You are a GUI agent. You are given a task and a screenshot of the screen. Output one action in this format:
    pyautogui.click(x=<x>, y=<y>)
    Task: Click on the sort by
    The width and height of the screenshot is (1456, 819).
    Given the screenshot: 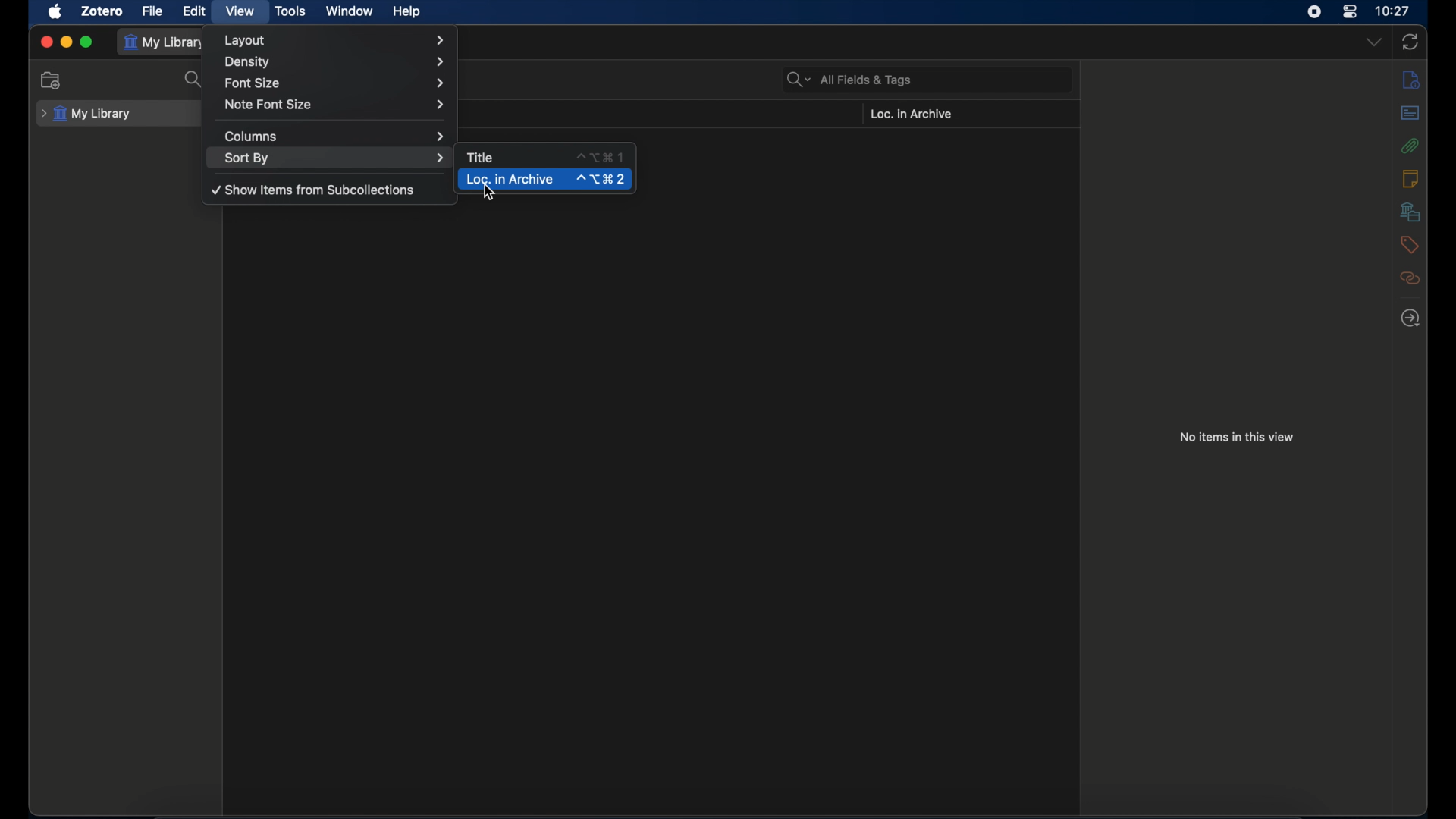 What is the action you would take?
    pyautogui.click(x=335, y=158)
    